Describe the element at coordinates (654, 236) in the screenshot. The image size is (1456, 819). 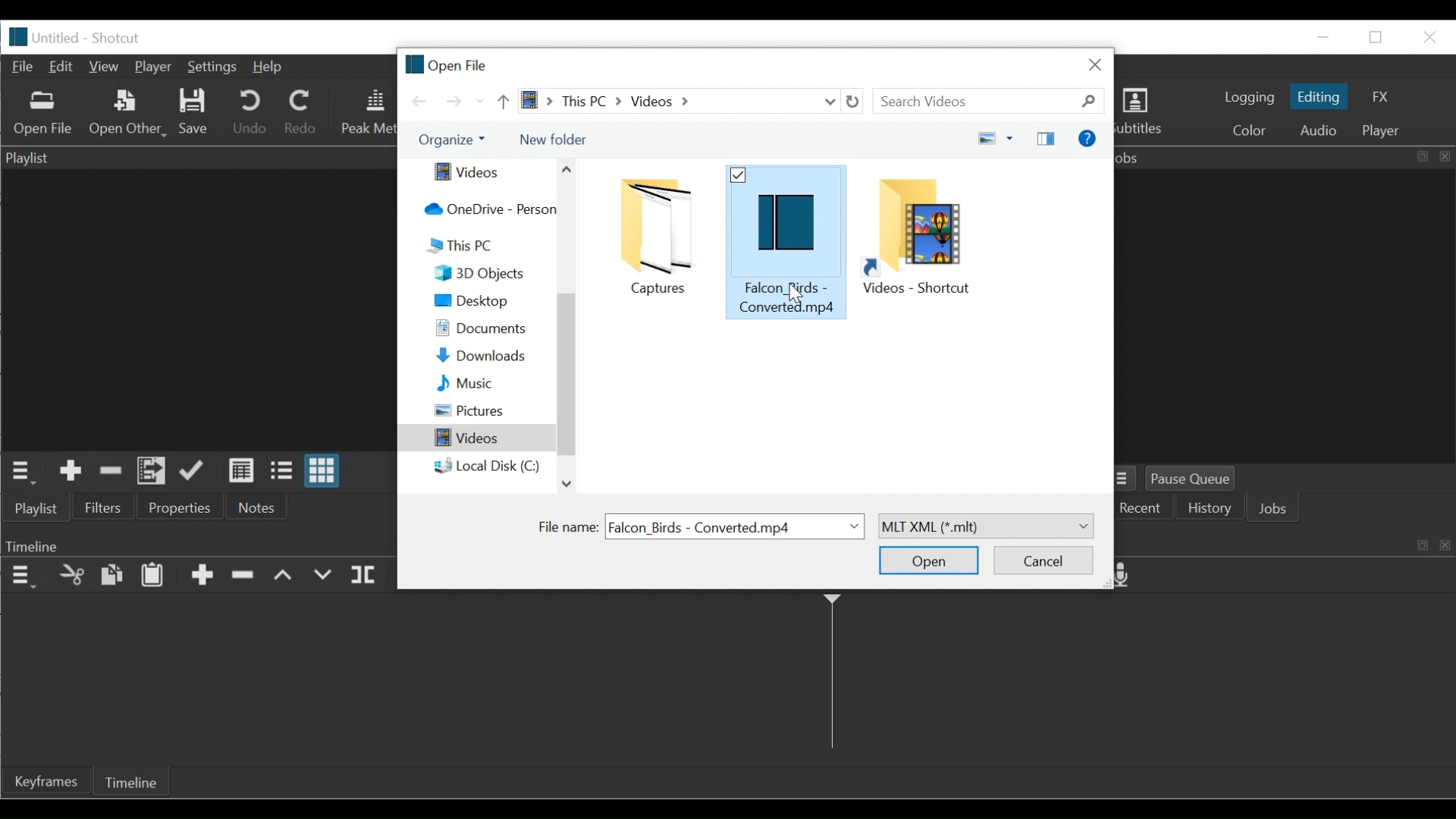
I see `captures` at that location.